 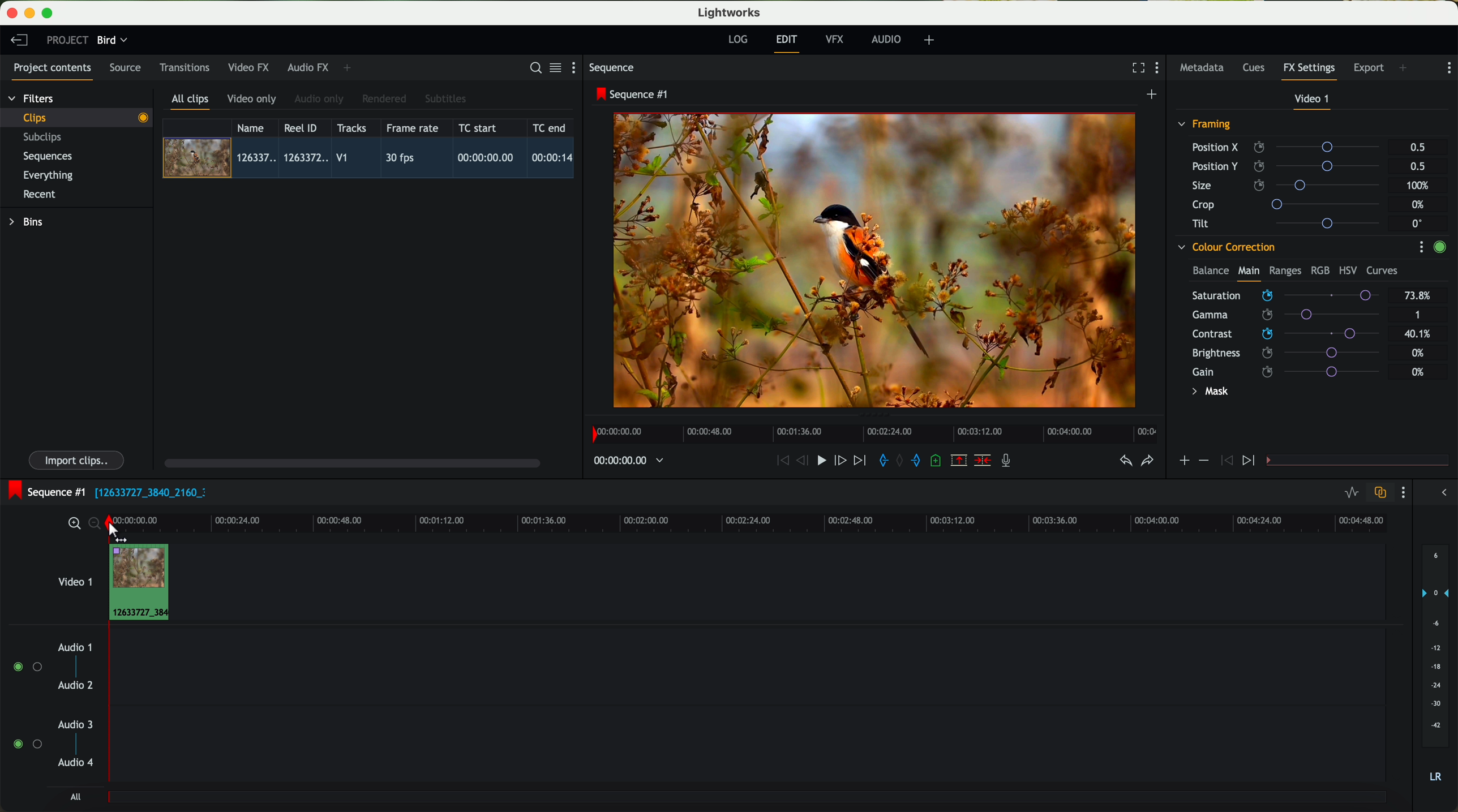 What do you see at coordinates (1439, 248) in the screenshot?
I see `enable` at bounding box center [1439, 248].